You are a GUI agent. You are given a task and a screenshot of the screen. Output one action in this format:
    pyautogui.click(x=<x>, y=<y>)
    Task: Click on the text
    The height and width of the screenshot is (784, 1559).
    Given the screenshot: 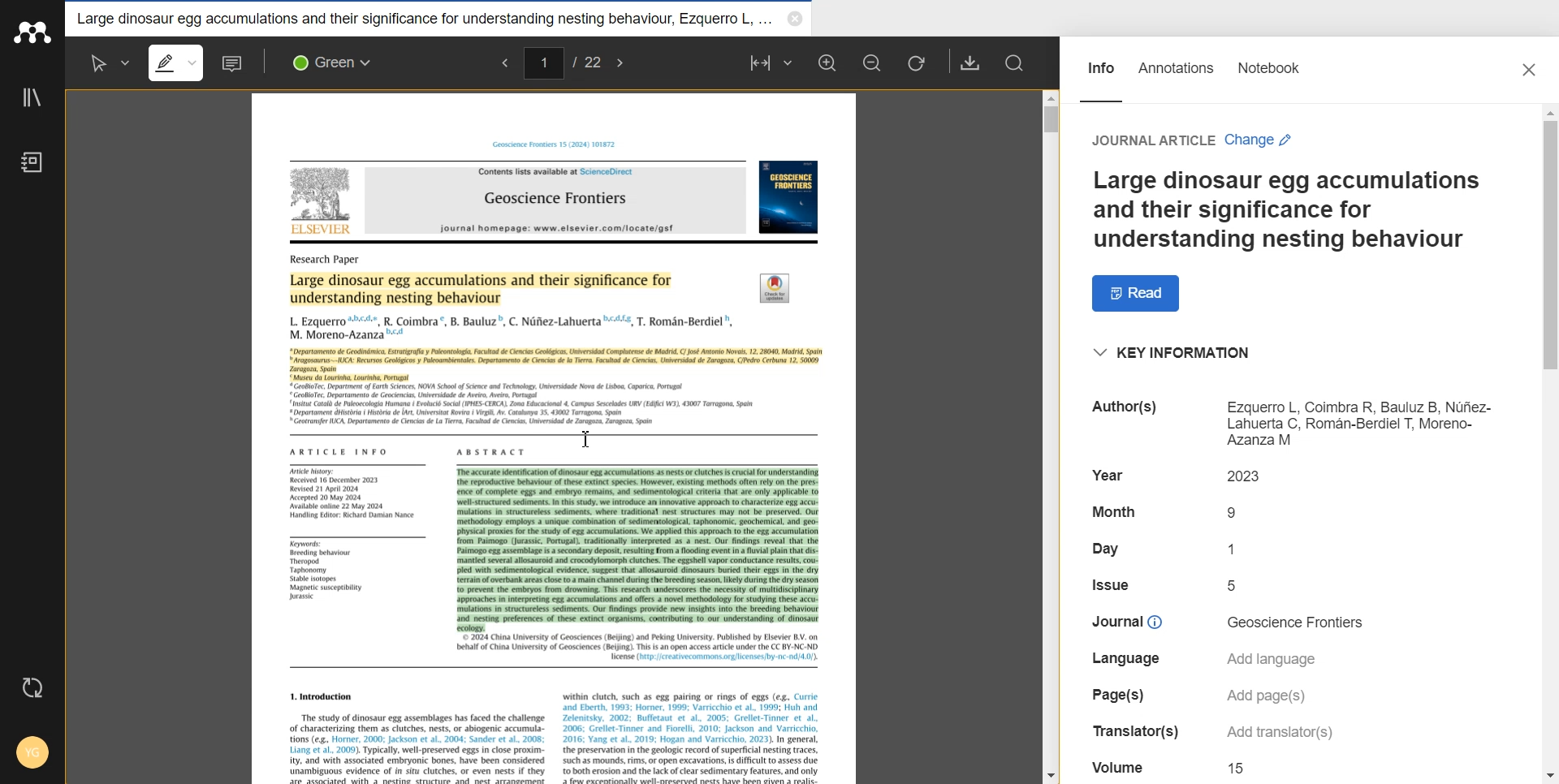 What is the action you would take?
    pyautogui.click(x=1118, y=694)
    